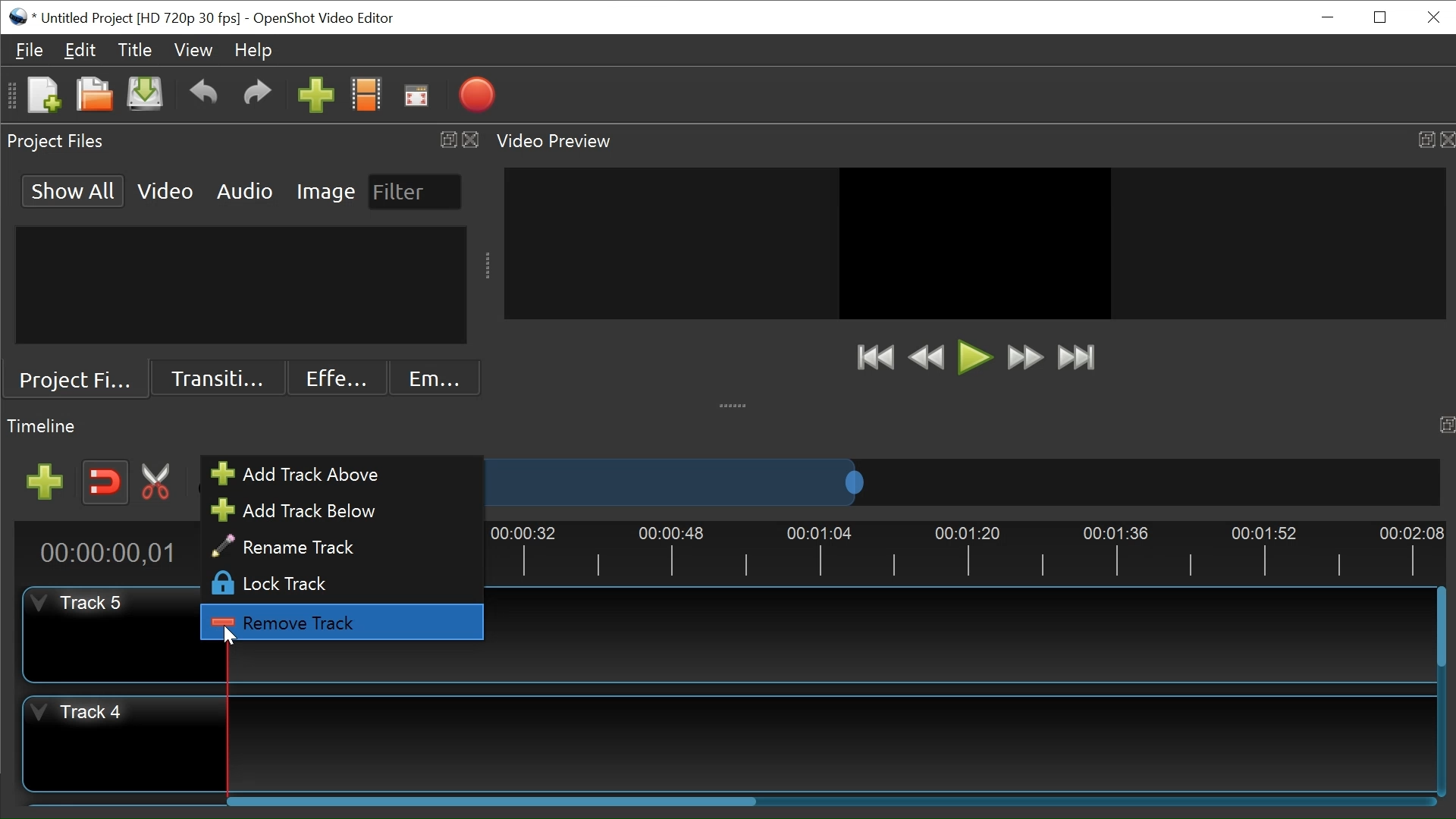 This screenshot has width=1456, height=819. I want to click on Project Files, so click(75, 381).